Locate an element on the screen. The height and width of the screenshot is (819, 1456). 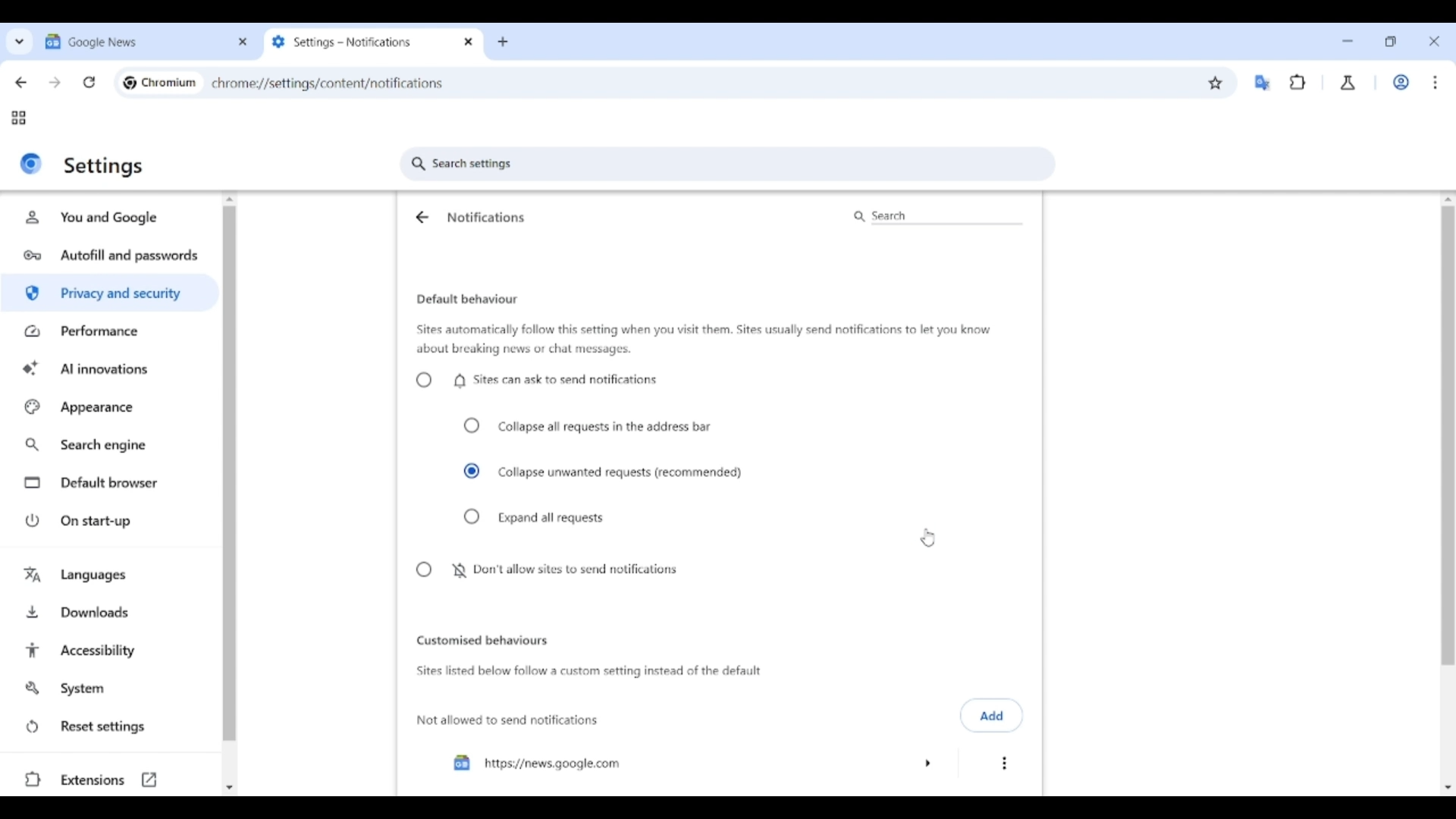
Privacy and security highlighted is located at coordinates (108, 296).